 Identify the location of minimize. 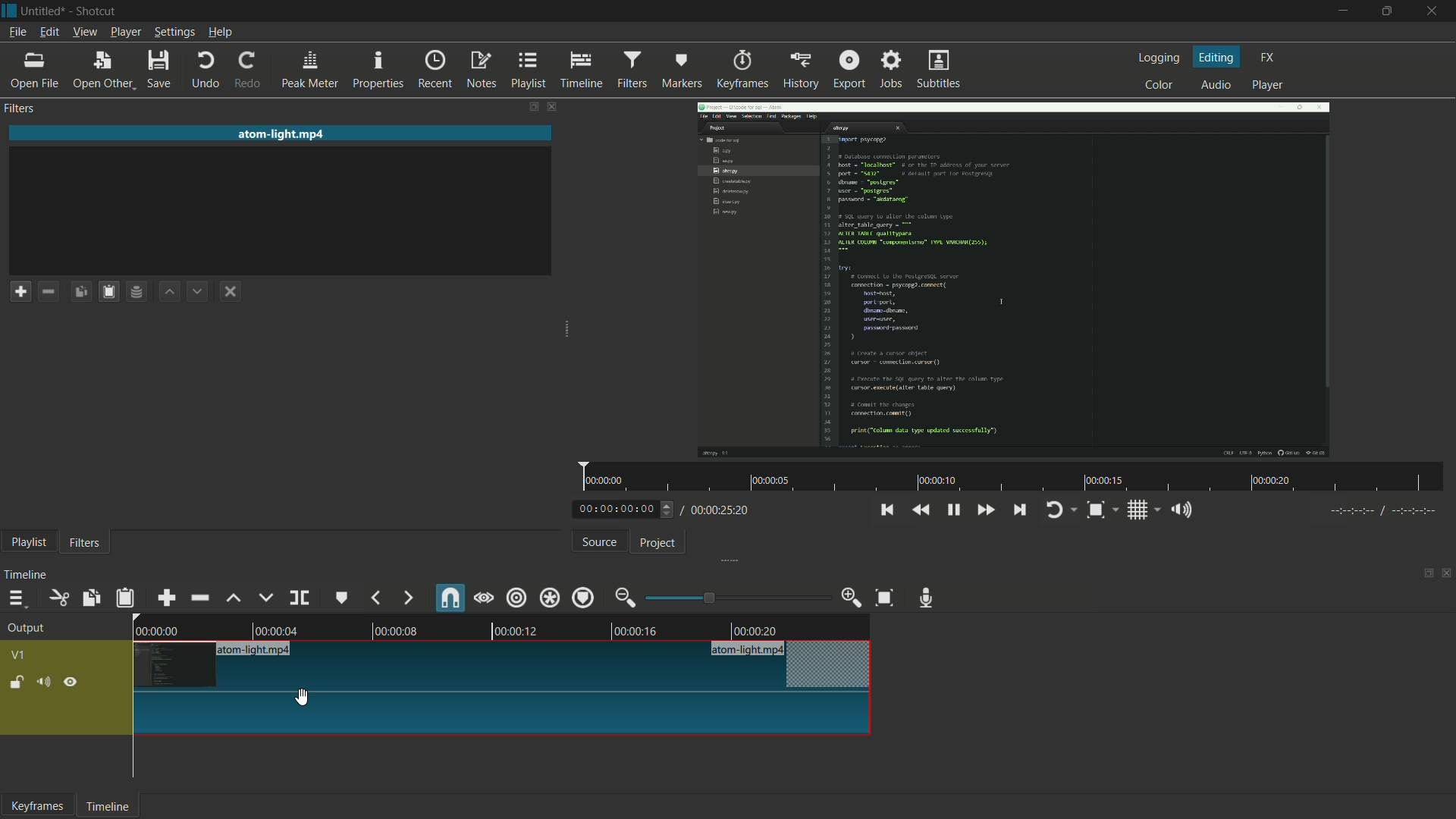
(1344, 11).